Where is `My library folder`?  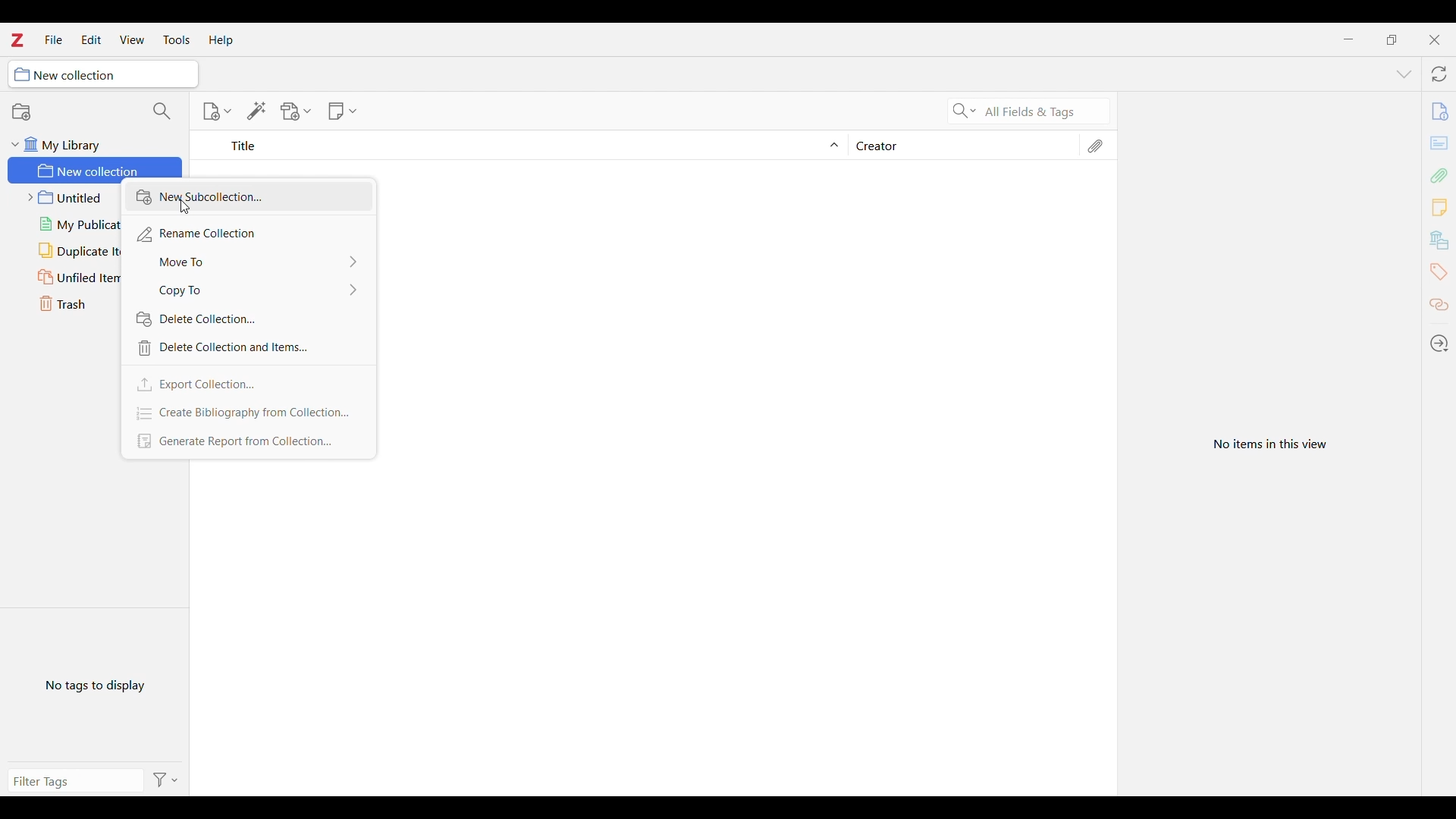
My library folder is located at coordinates (96, 145).